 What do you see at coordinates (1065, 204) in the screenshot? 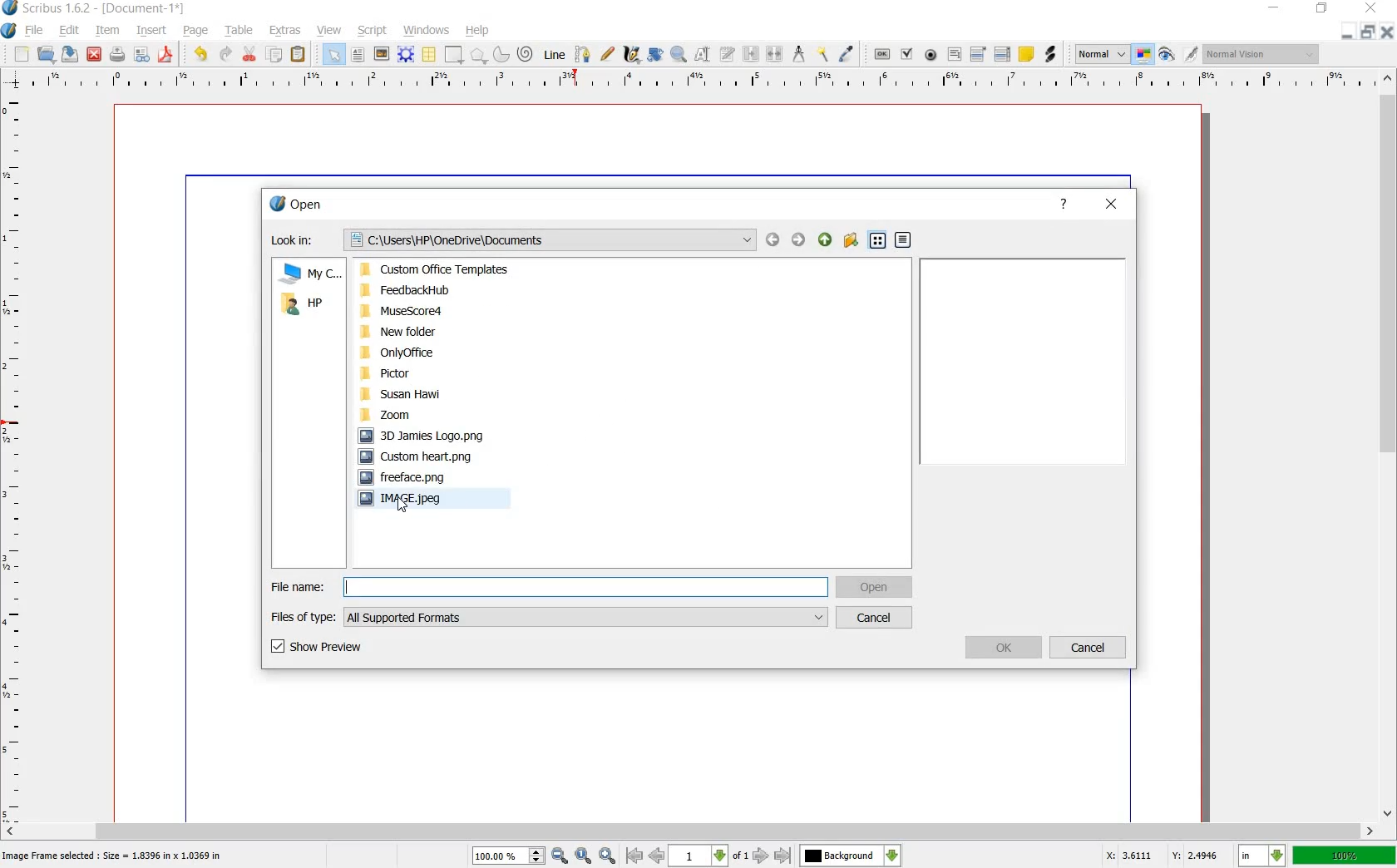
I see `help` at bounding box center [1065, 204].